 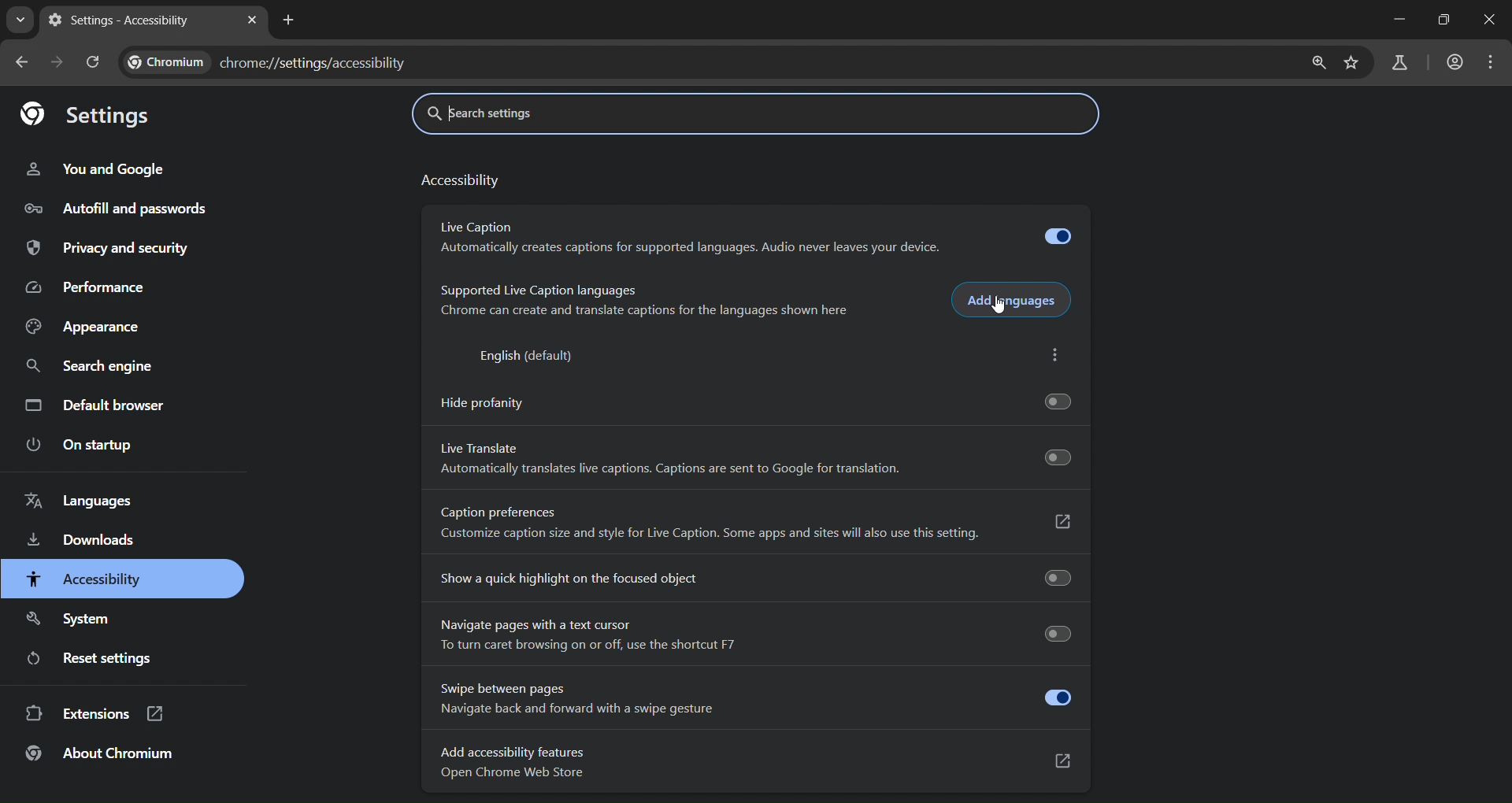 I want to click on accounts, so click(x=1455, y=61).